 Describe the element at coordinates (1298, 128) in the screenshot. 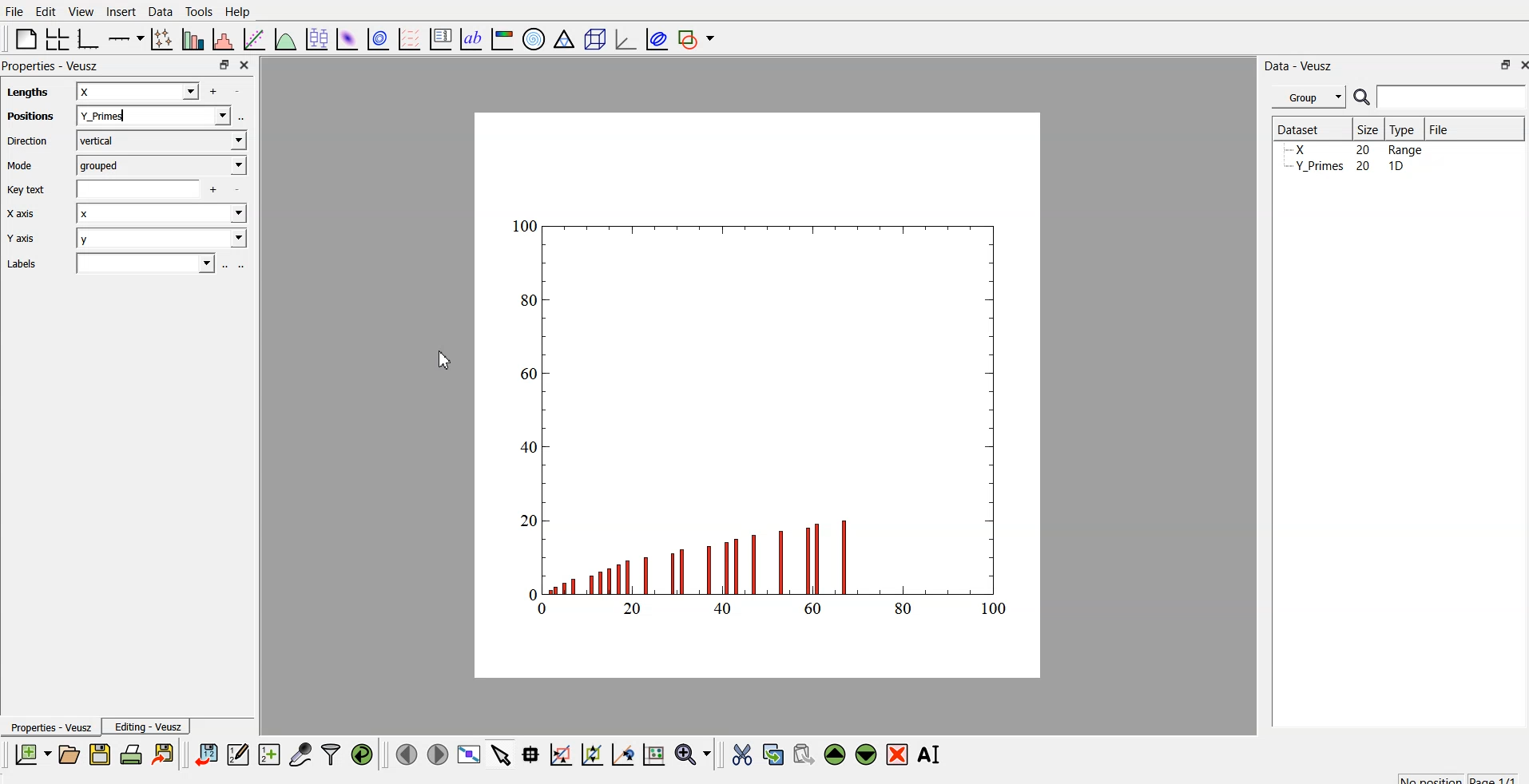

I see `| Dataset` at that location.